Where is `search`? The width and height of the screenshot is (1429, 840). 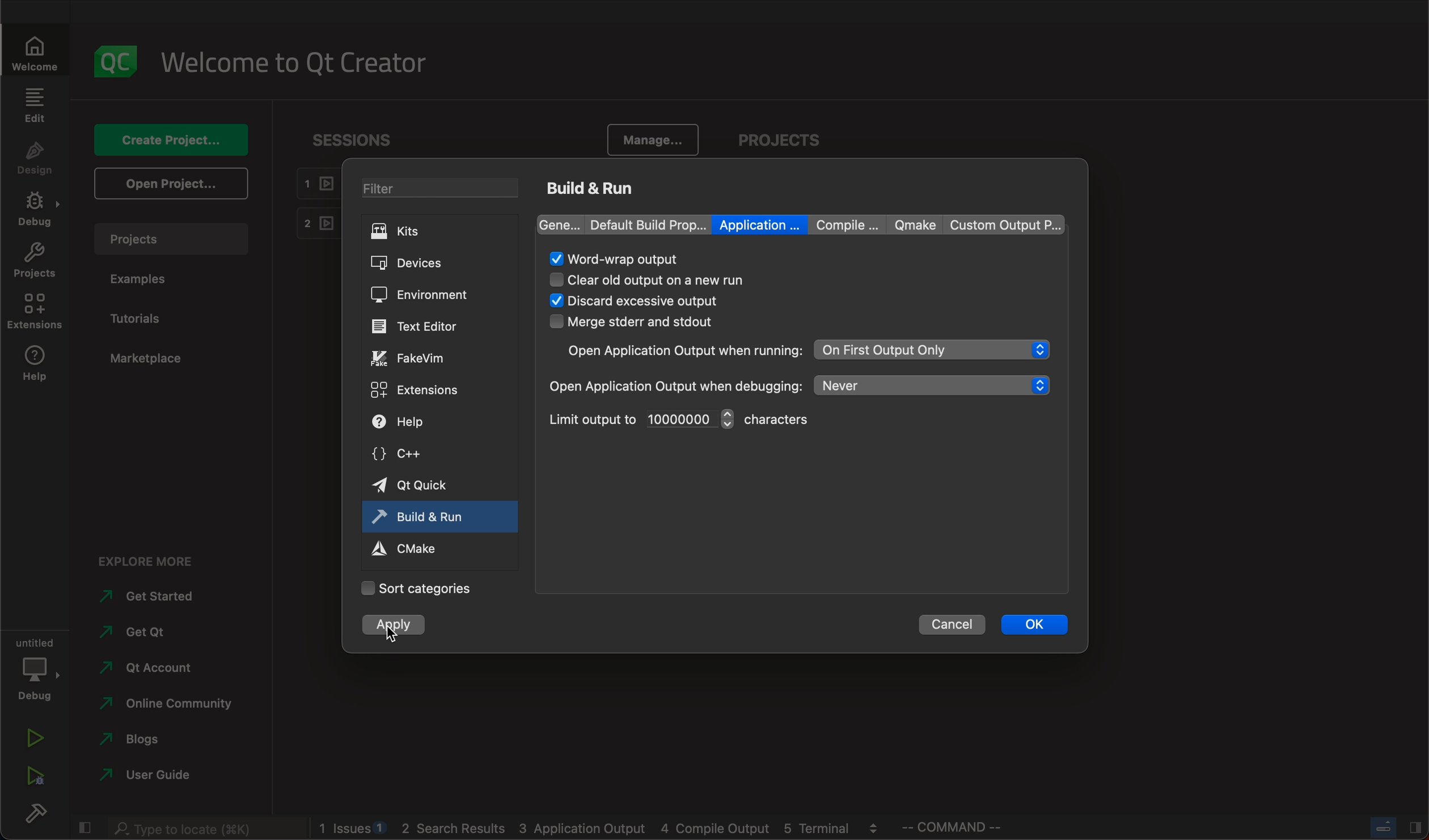 search is located at coordinates (209, 829).